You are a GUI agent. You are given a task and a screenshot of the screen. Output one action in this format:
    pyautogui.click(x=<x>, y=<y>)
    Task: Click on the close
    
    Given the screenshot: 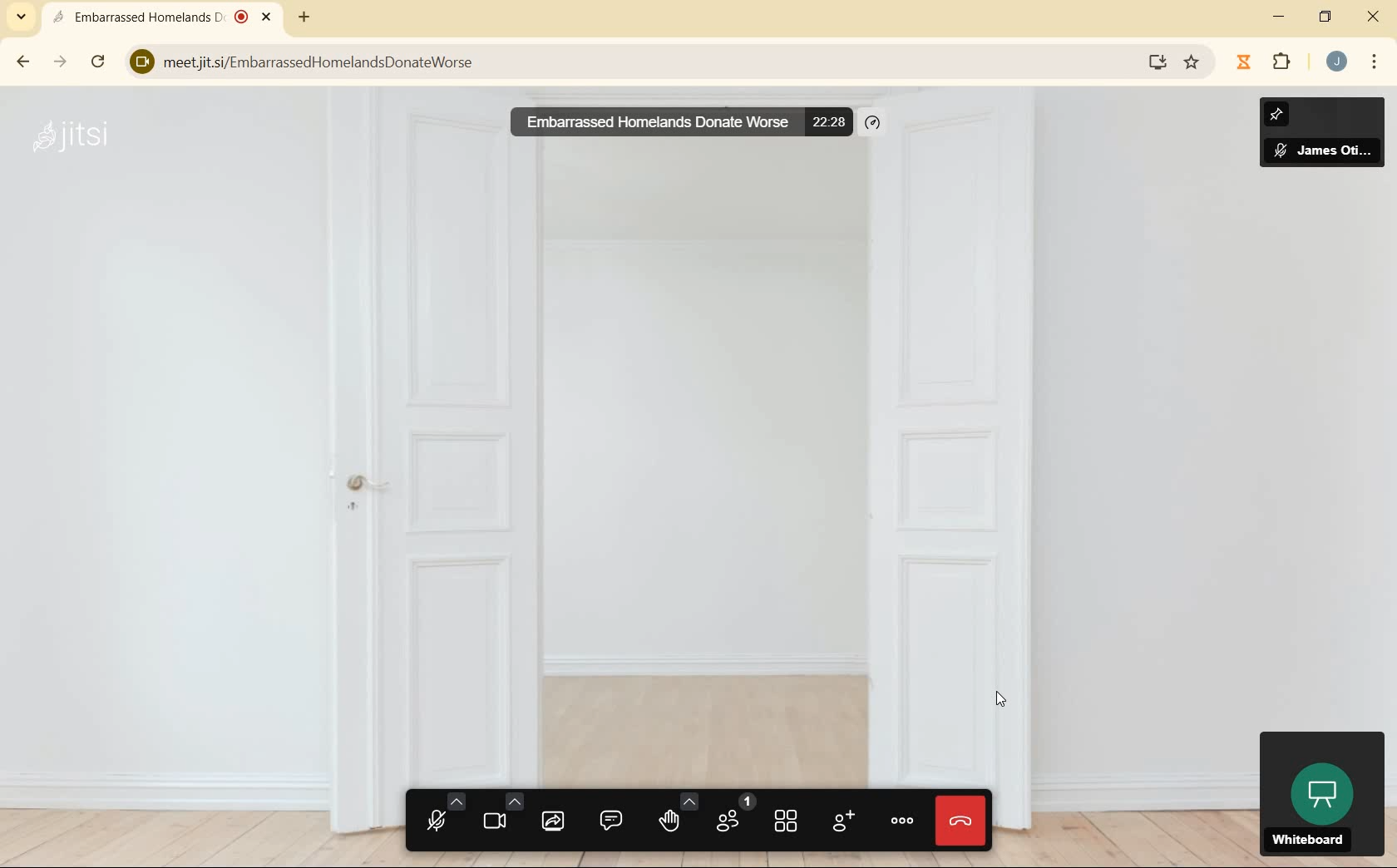 What is the action you would take?
    pyautogui.click(x=1372, y=17)
    